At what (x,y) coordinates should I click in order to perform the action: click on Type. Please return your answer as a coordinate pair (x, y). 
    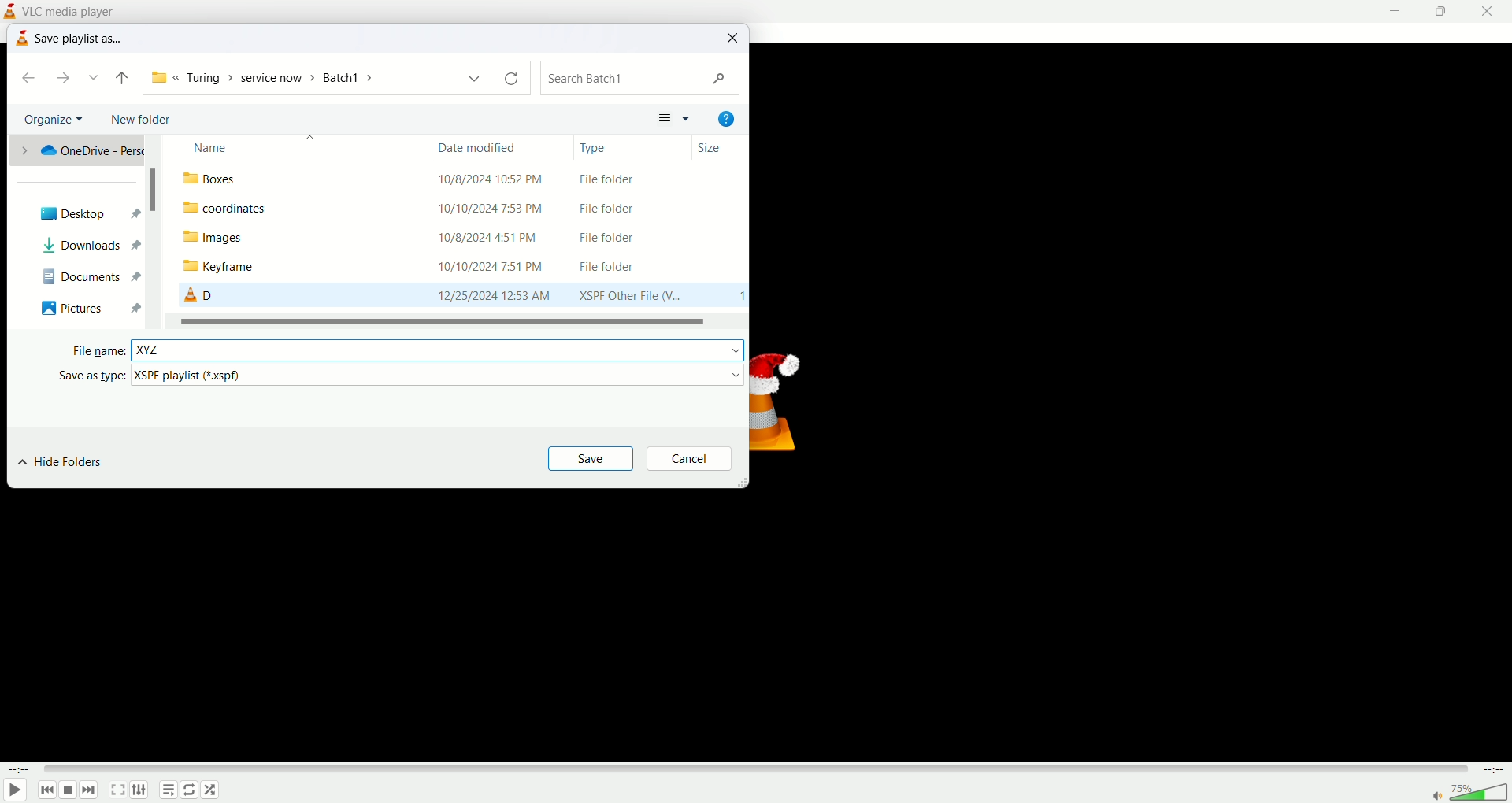
    Looking at the image, I should click on (603, 149).